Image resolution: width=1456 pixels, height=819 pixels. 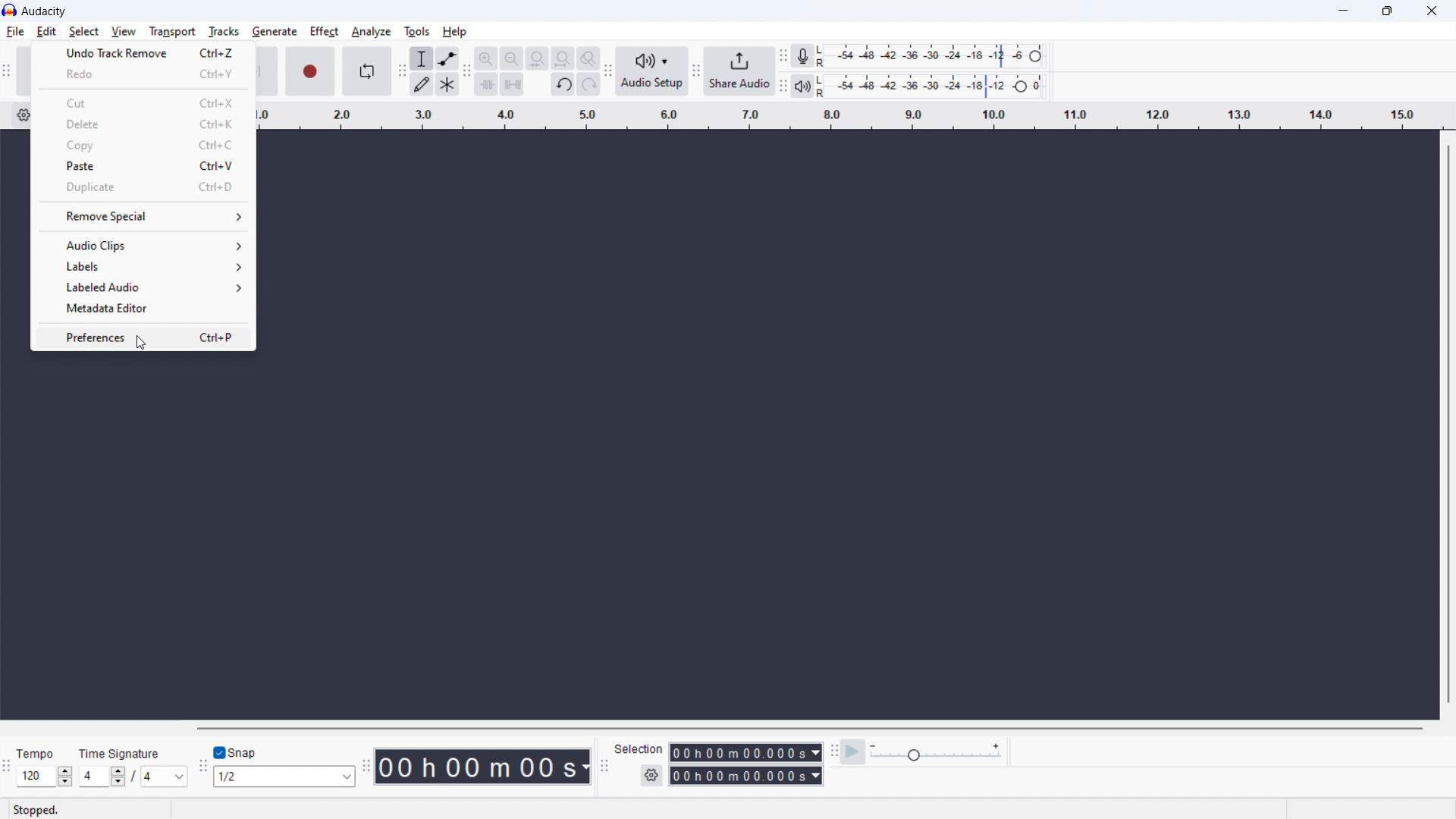 What do you see at coordinates (84, 31) in the screenshot?
I see `select` at bounding box center [84, 31].